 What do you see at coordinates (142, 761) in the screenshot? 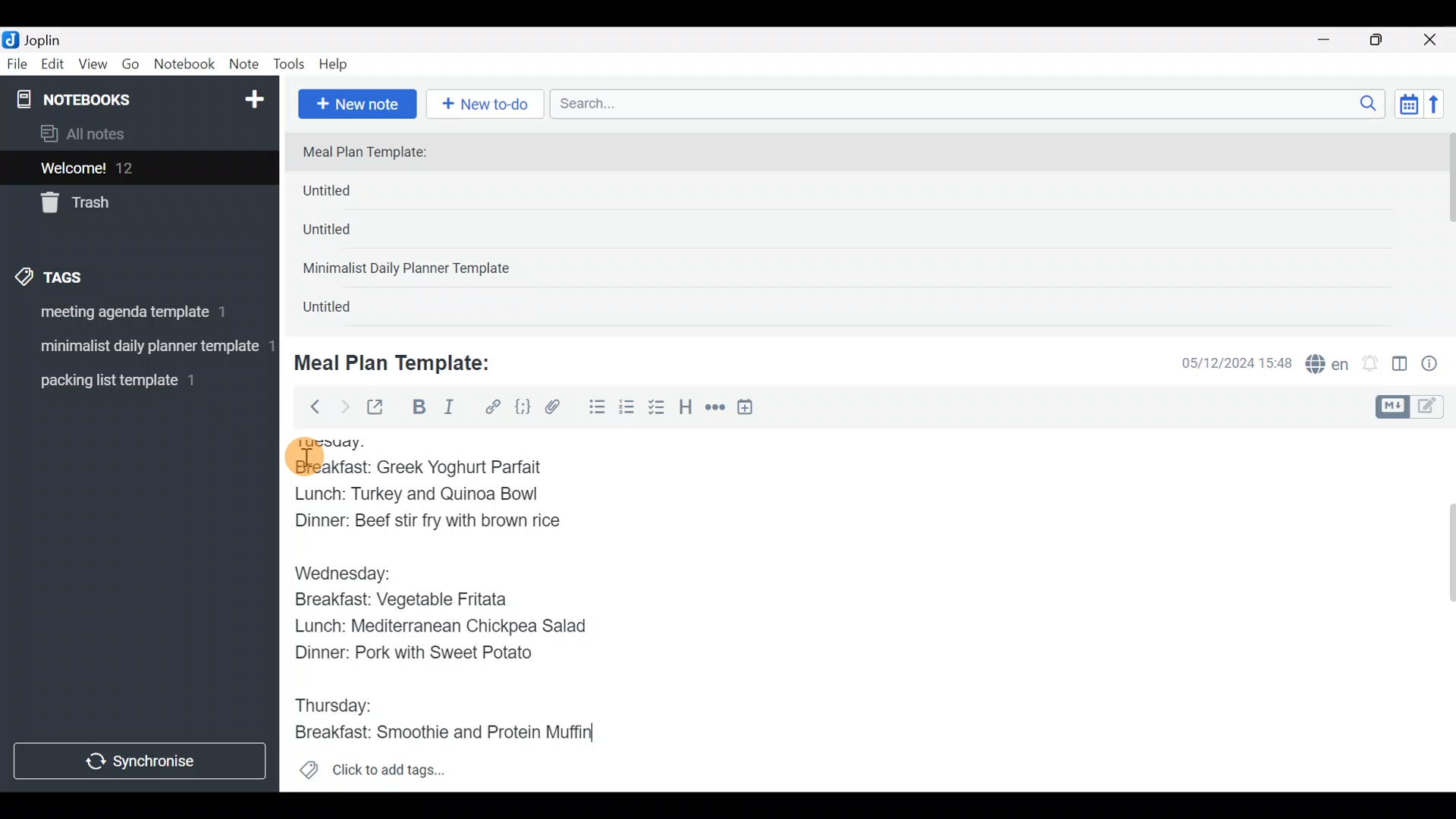
I see `Synchronize` at bounding box center [142, 761].